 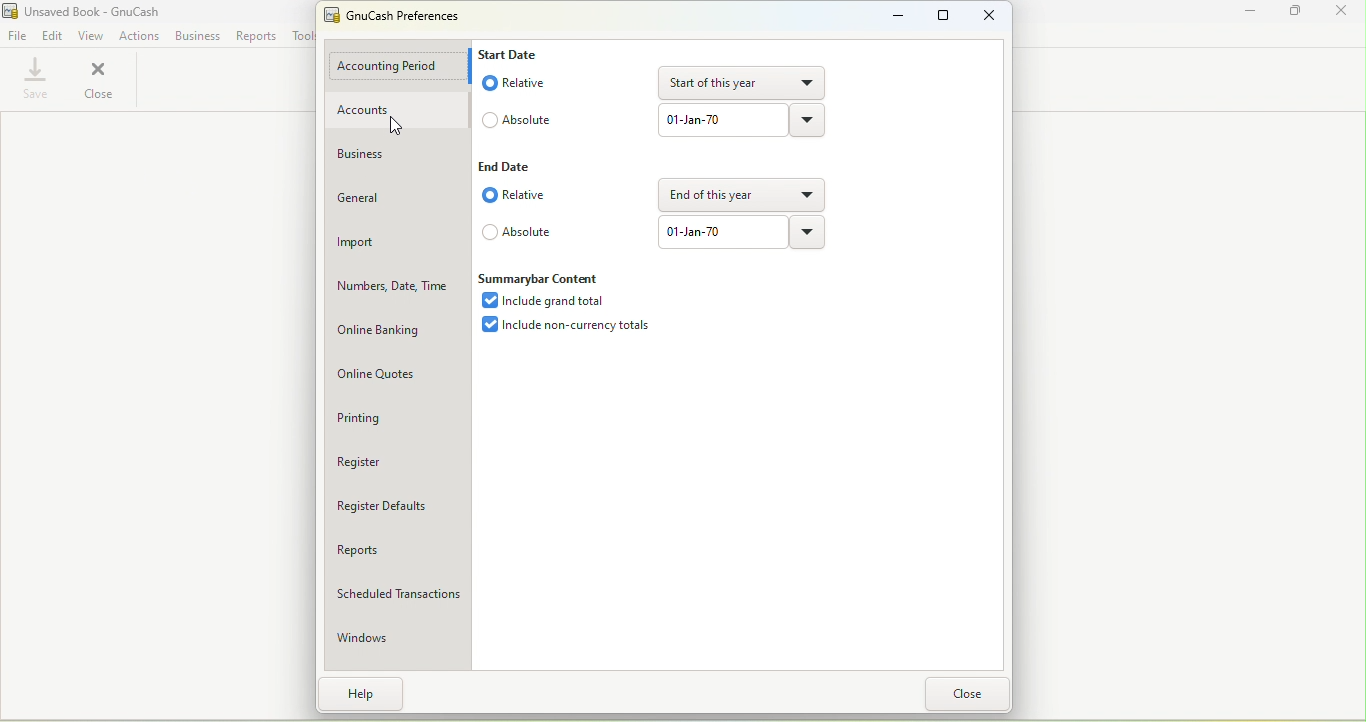 What do you see at coordinates (399, 552) in the screenshot?
I see `Reports` at bounding box center [399, 552].